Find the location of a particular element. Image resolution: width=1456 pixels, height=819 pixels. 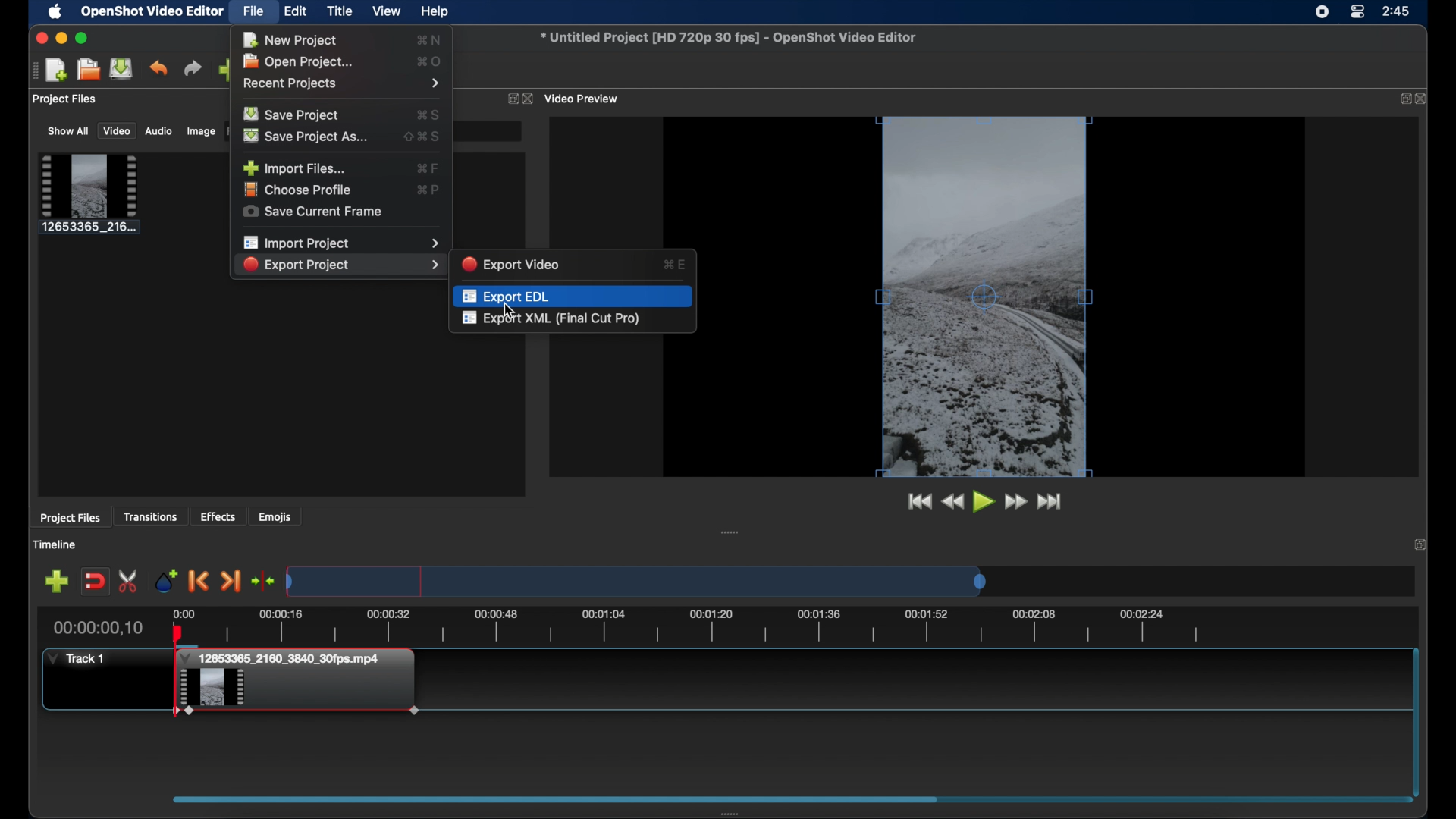

save project shortcut is located at coordinates (430, 113).